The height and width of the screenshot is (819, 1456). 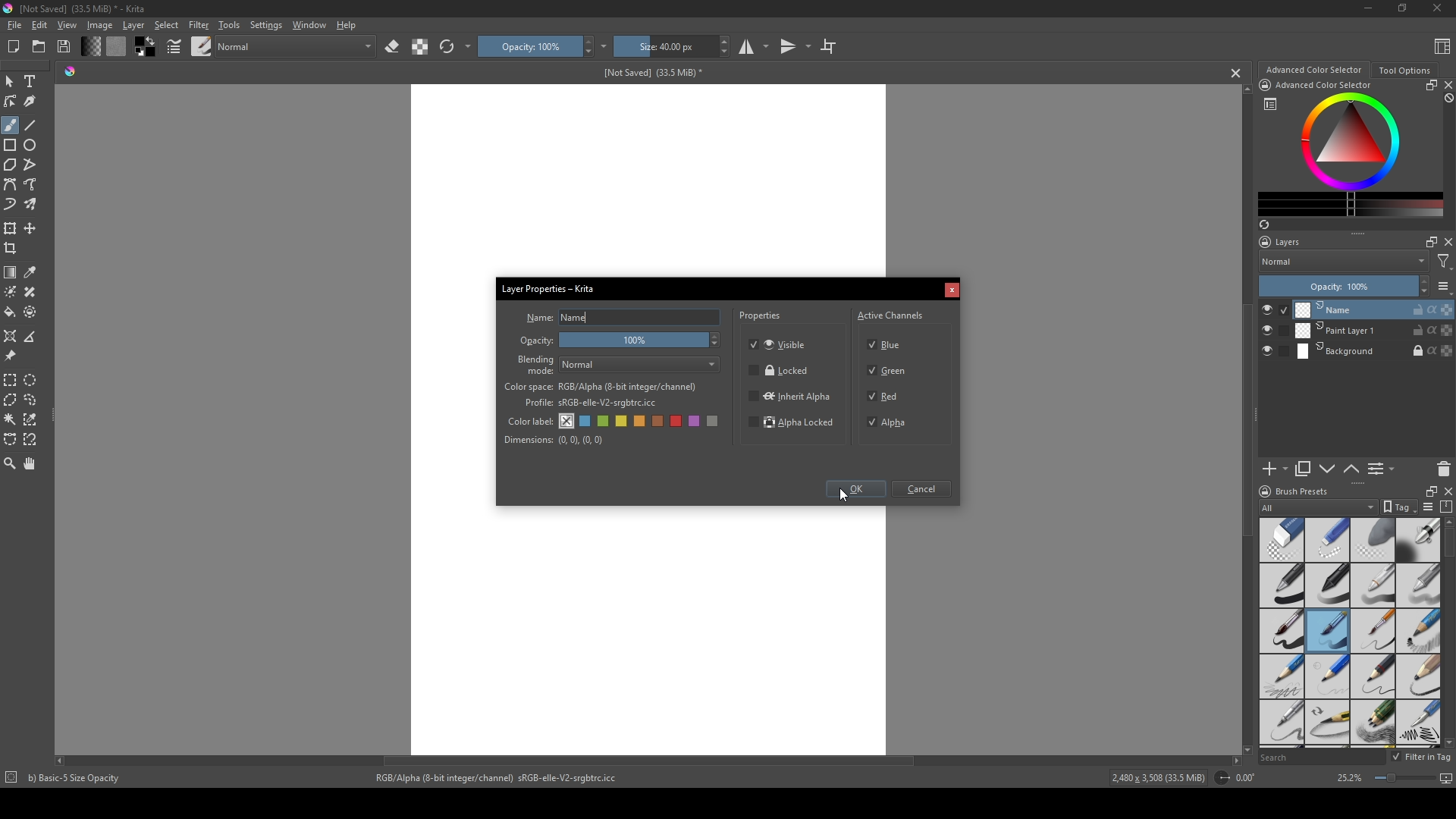 I want to click on View, so click(x=67, y=25).